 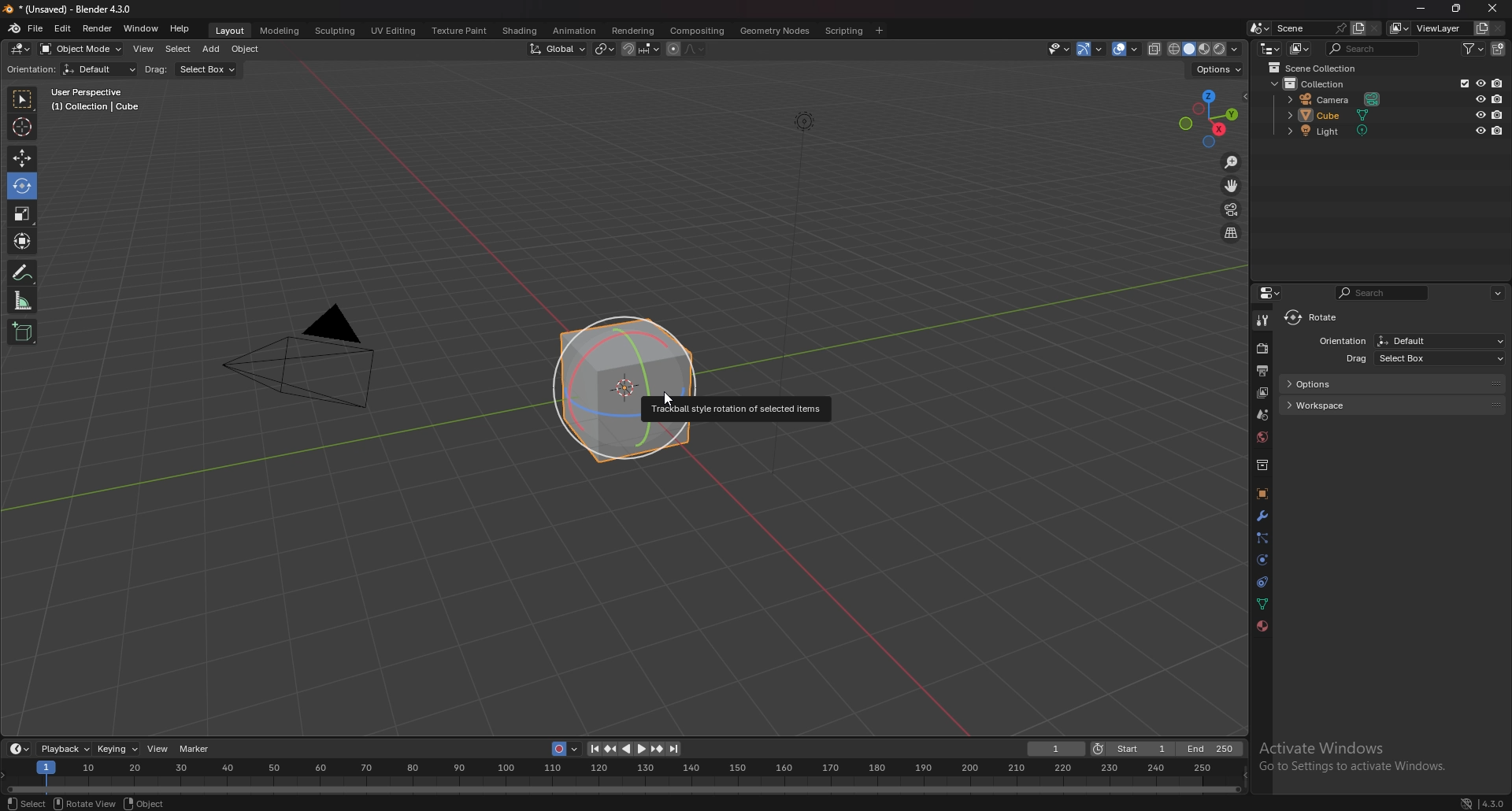 I want to click on editor type, so click(x=20, y=748).